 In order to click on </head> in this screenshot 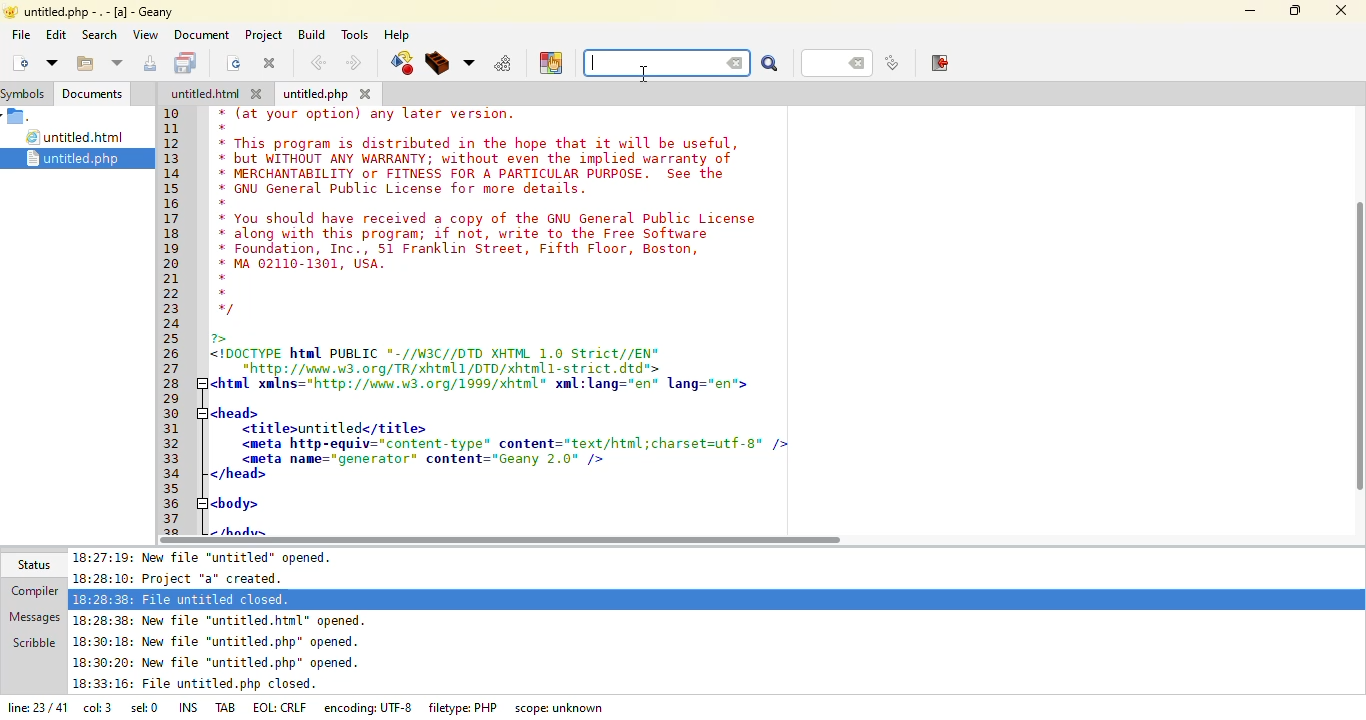, I will do `click(238, 475)`.